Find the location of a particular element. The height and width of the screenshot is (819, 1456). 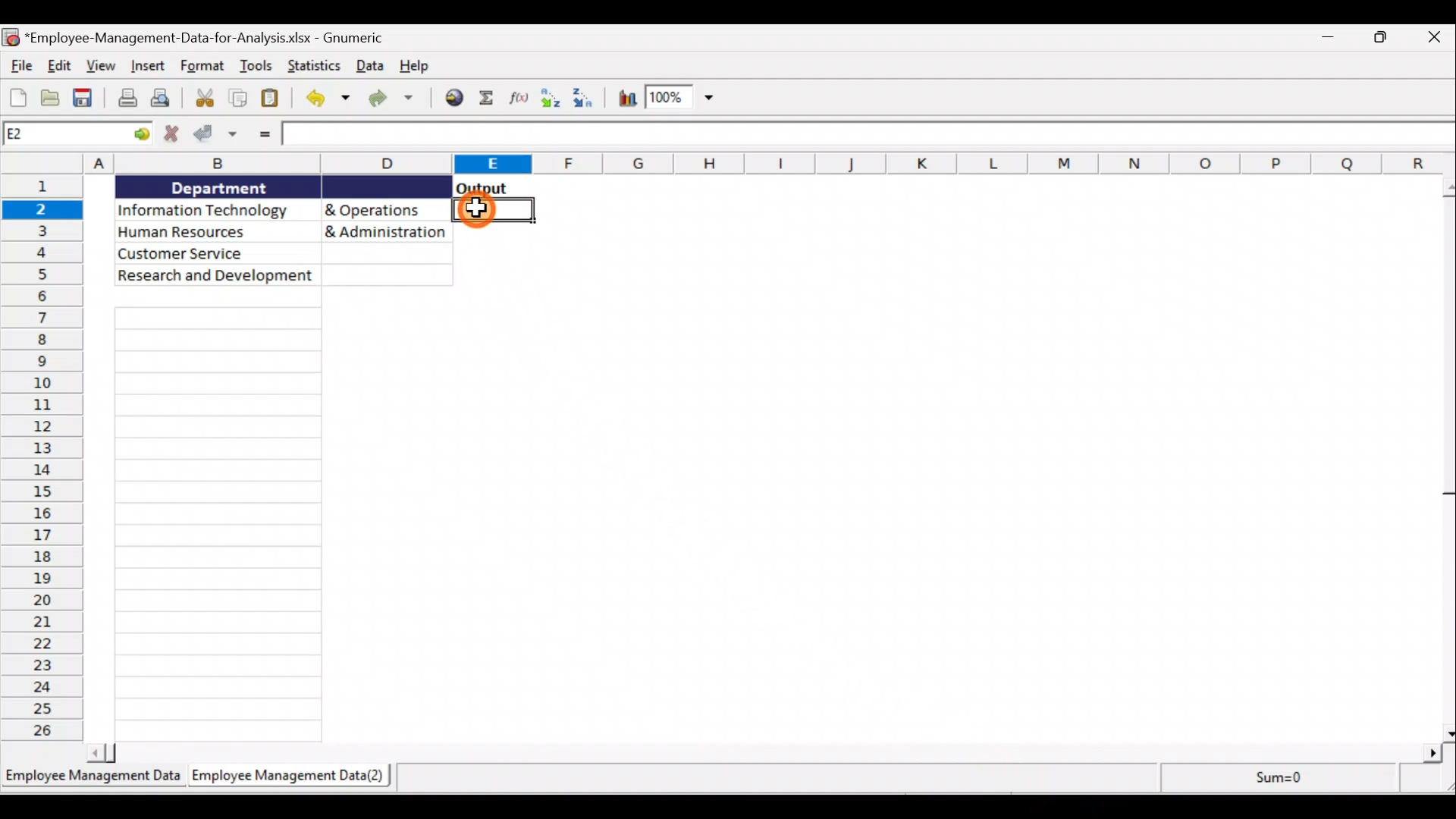

Sort Ascending is located at coordinates (551, 99).